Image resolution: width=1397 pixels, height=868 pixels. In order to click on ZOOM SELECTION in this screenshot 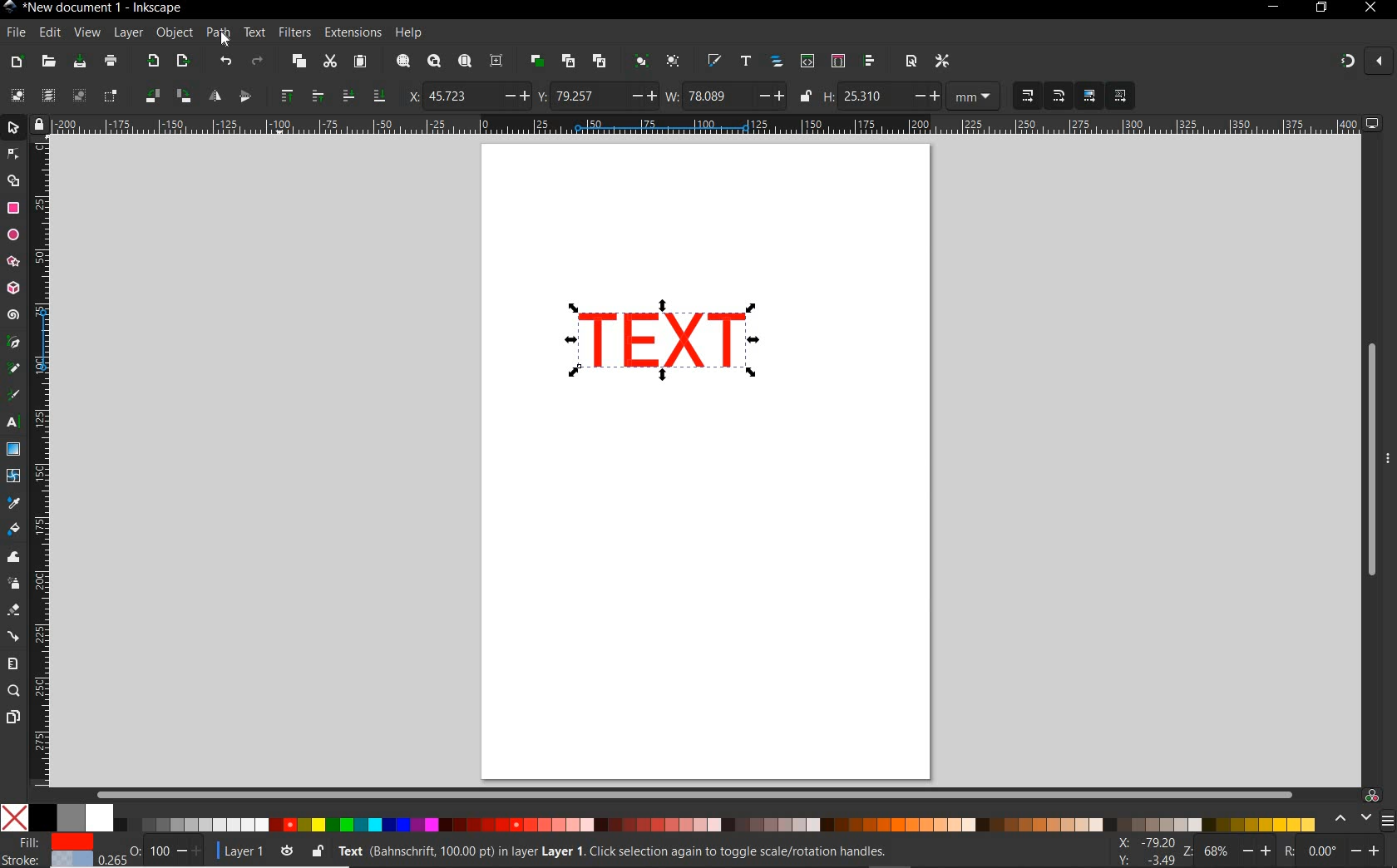, I will do `click(402, 62)`.